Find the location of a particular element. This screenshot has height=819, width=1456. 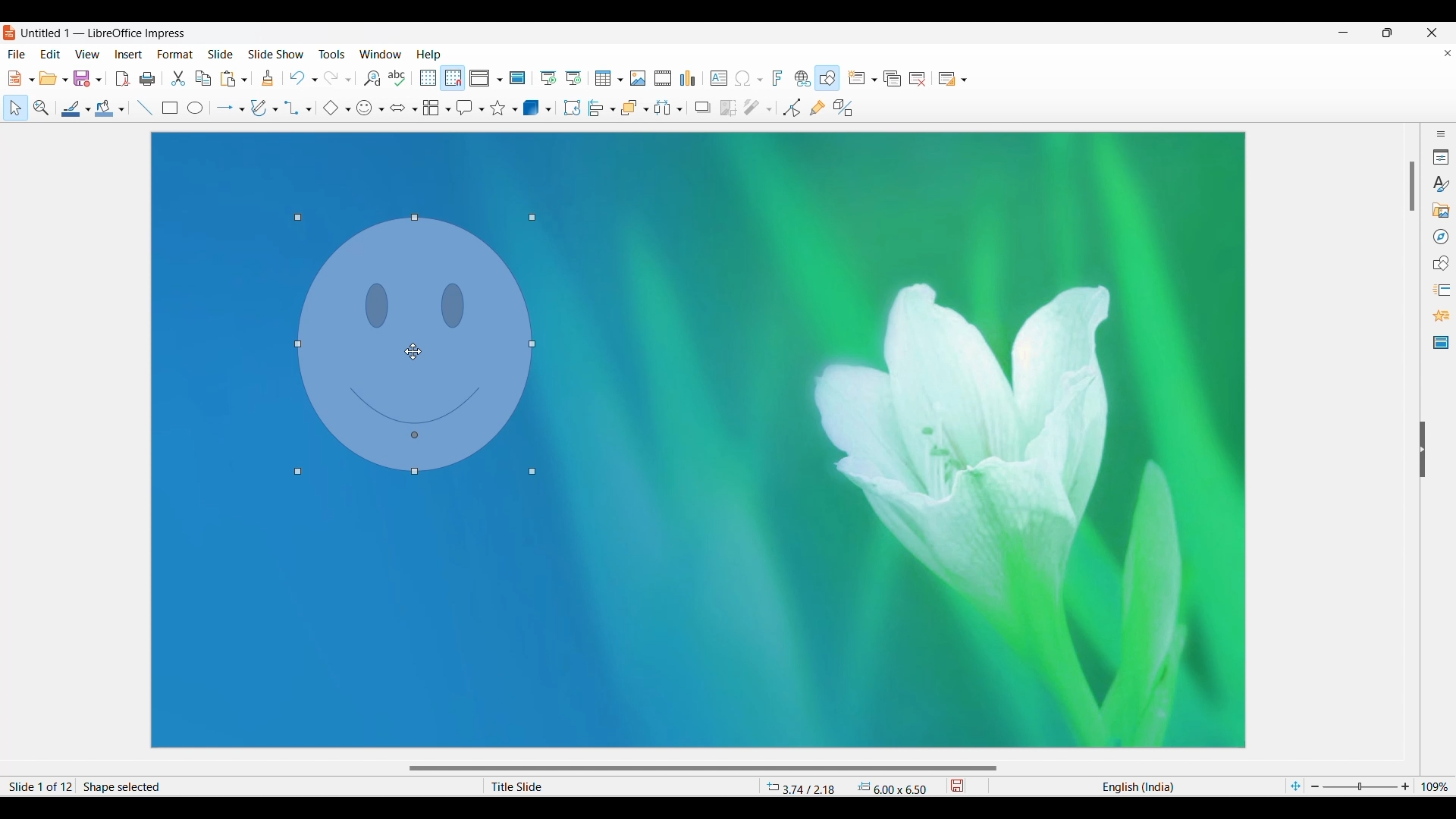

Cut is located at coordinates (178, 78).